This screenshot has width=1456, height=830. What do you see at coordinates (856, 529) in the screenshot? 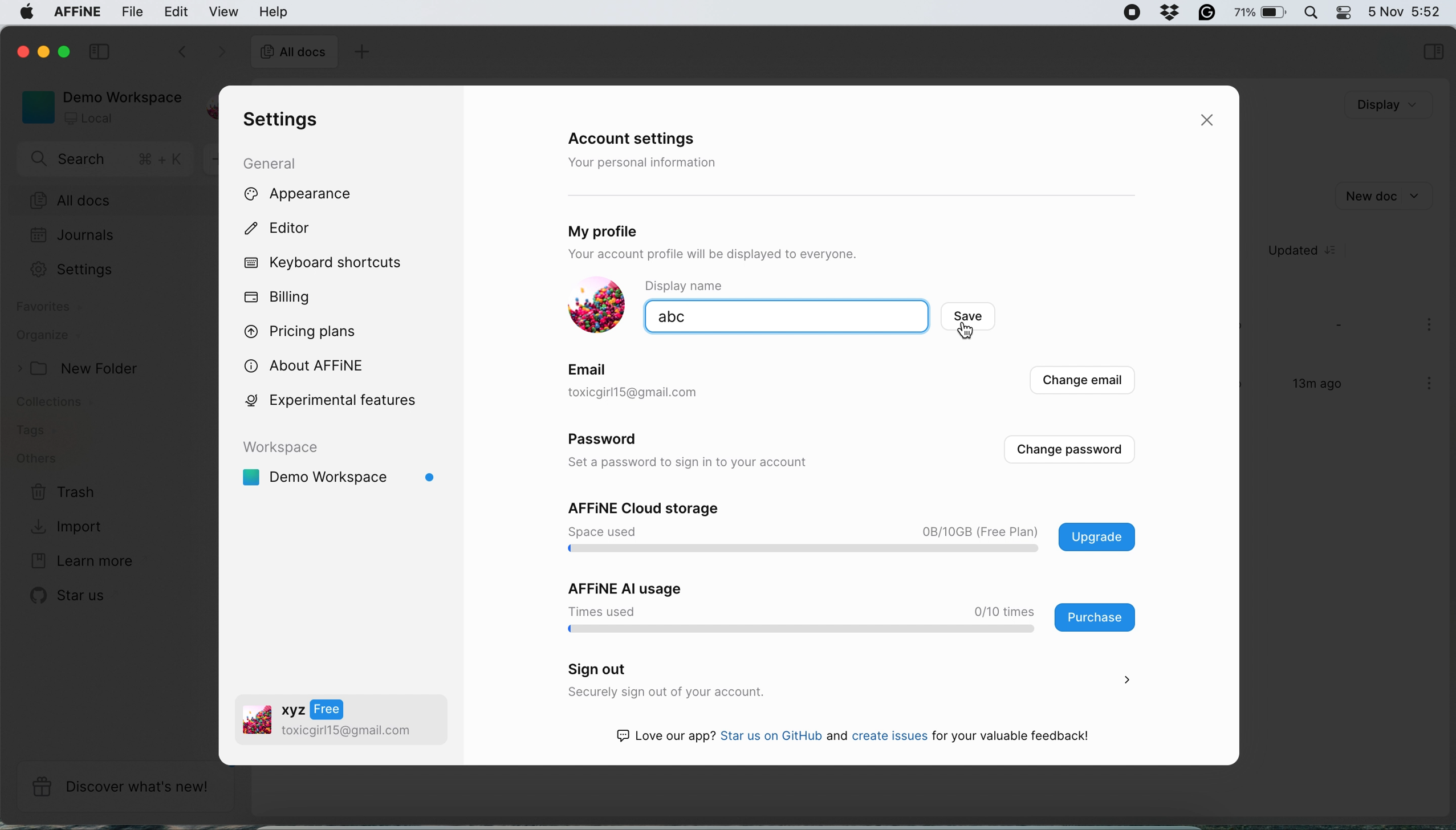
I see `affine cloud storage` at bounding box center [856, 529].